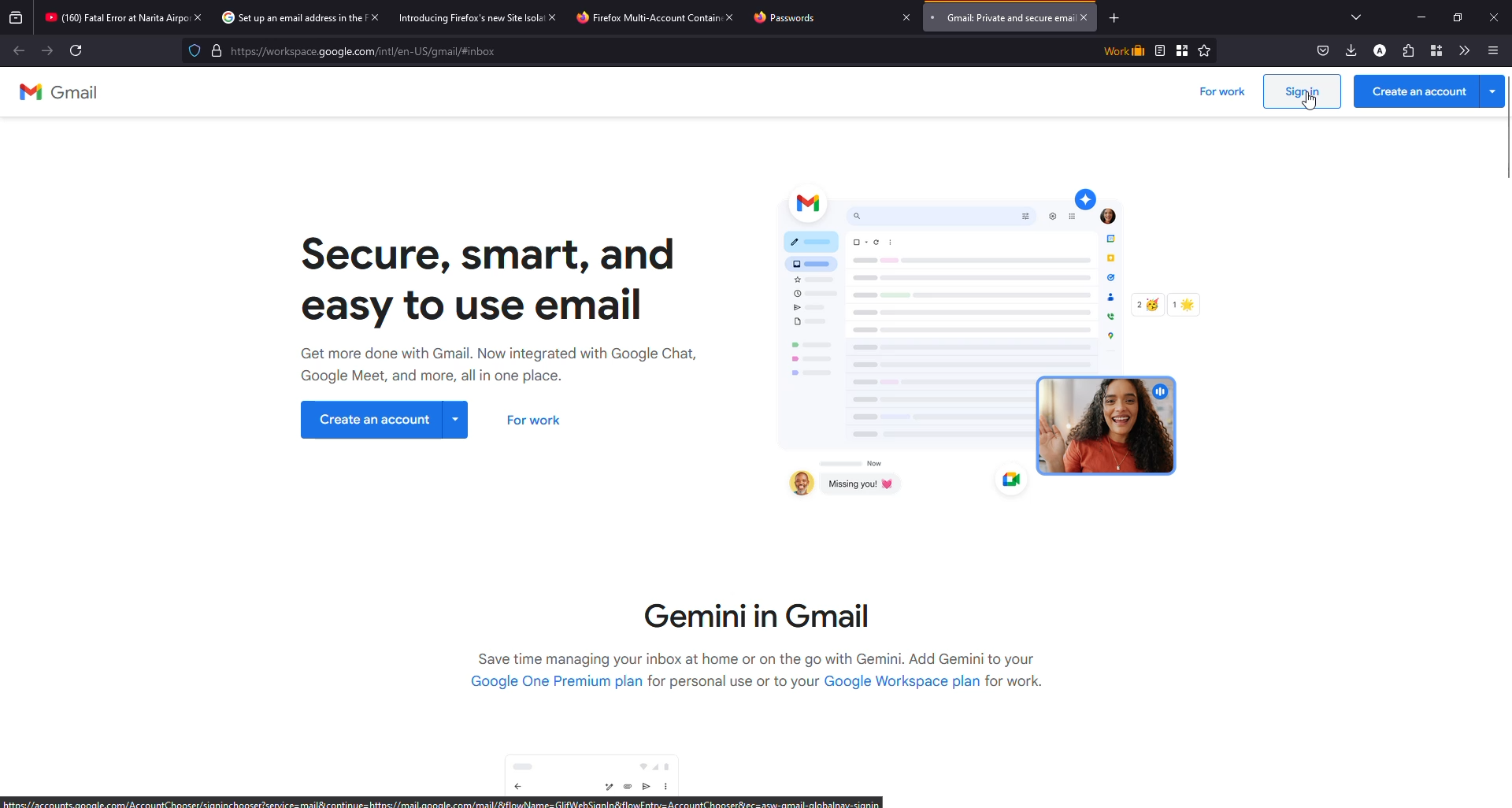 Image resolution: width=1512 pixels, height=808 pixels. What do you see at coordinates (605, 788) in the screenshot?
I see `Write message` at bounding box center [605, 788].